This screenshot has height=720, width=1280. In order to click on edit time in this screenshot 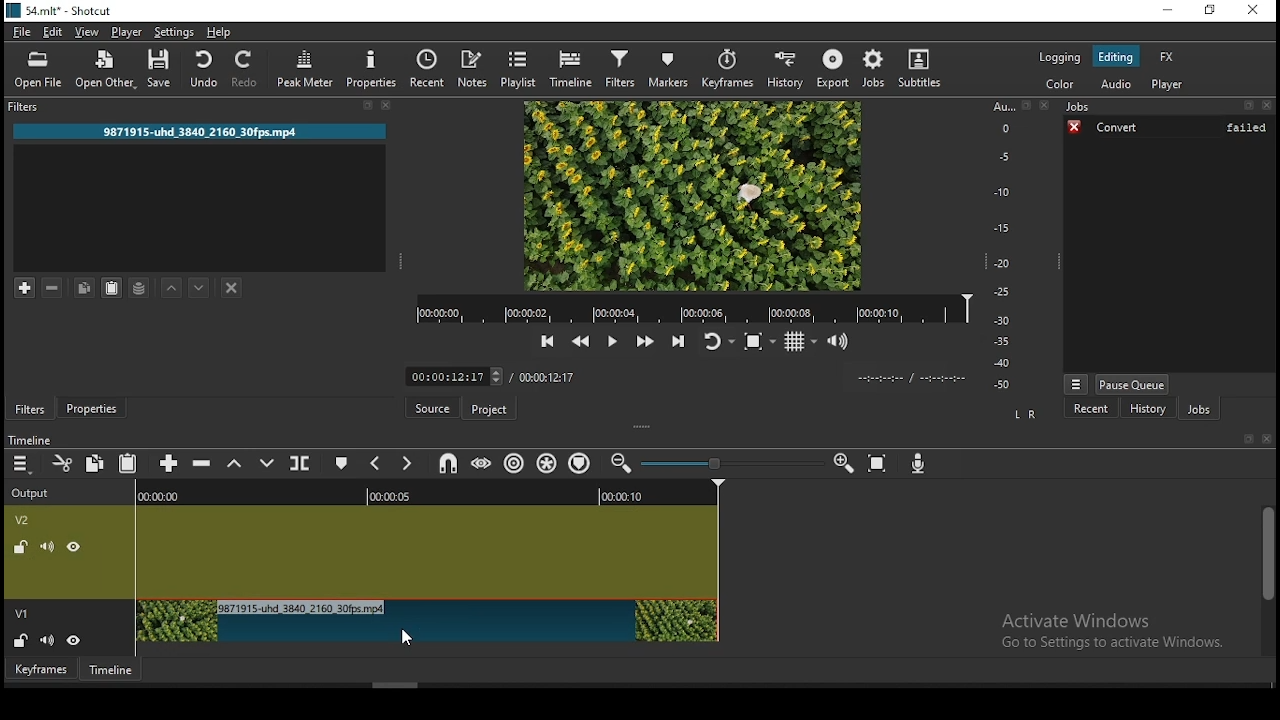, I will do `click(455, 376)`.